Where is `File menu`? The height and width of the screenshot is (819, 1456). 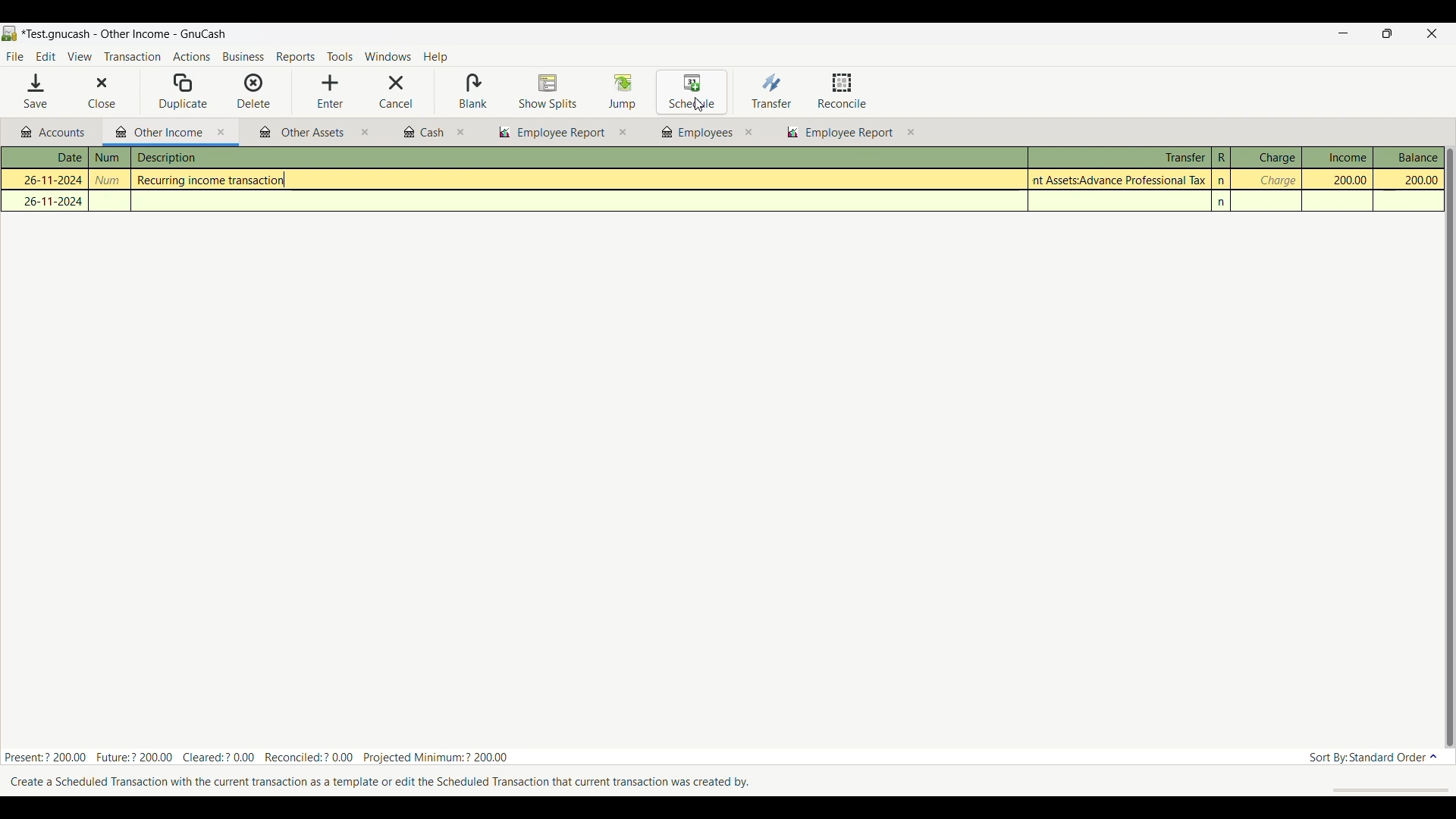
File menu is located at coordinates (14, 57).